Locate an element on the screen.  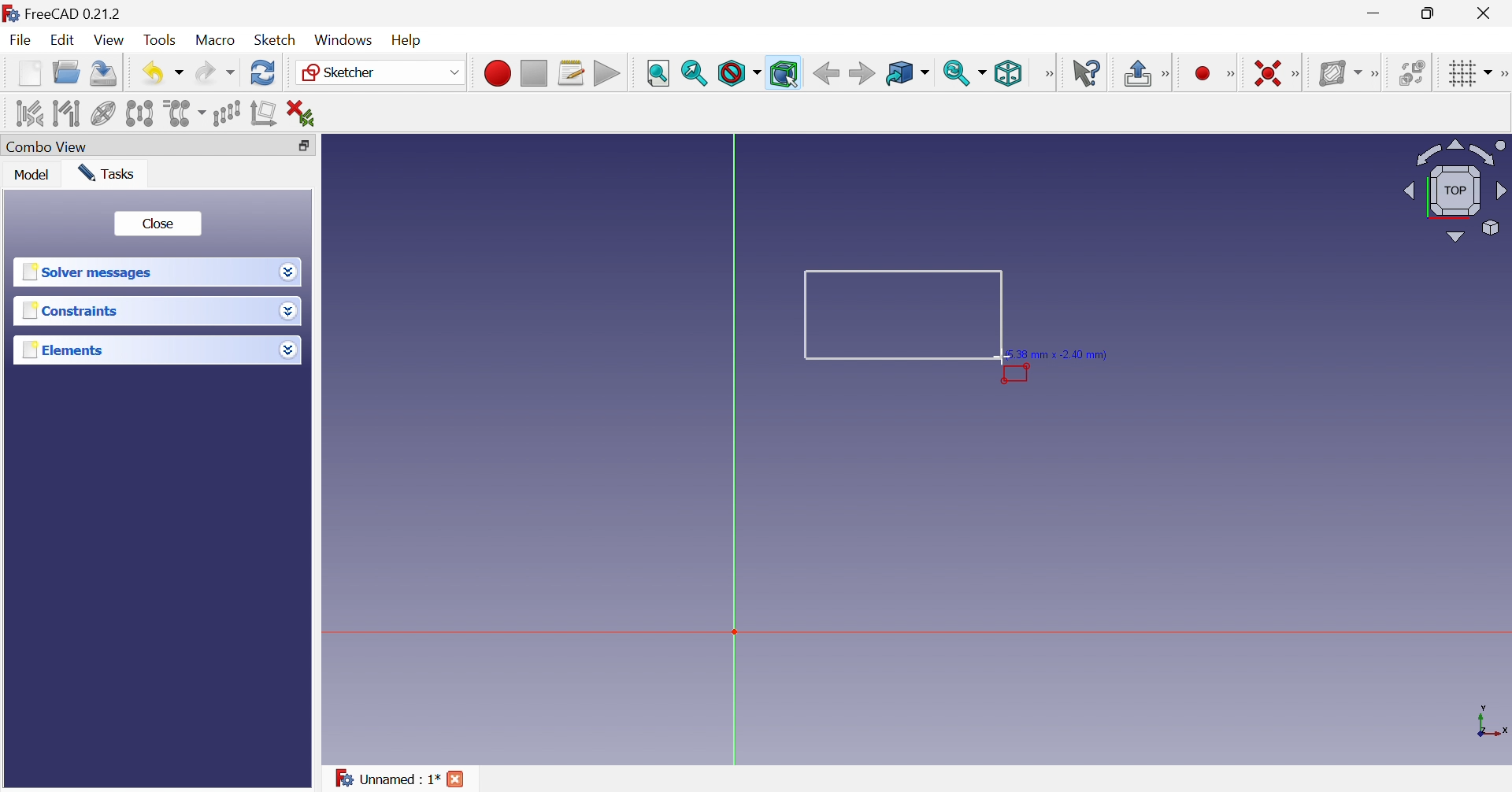
Close is located at coordinates (159, 224).